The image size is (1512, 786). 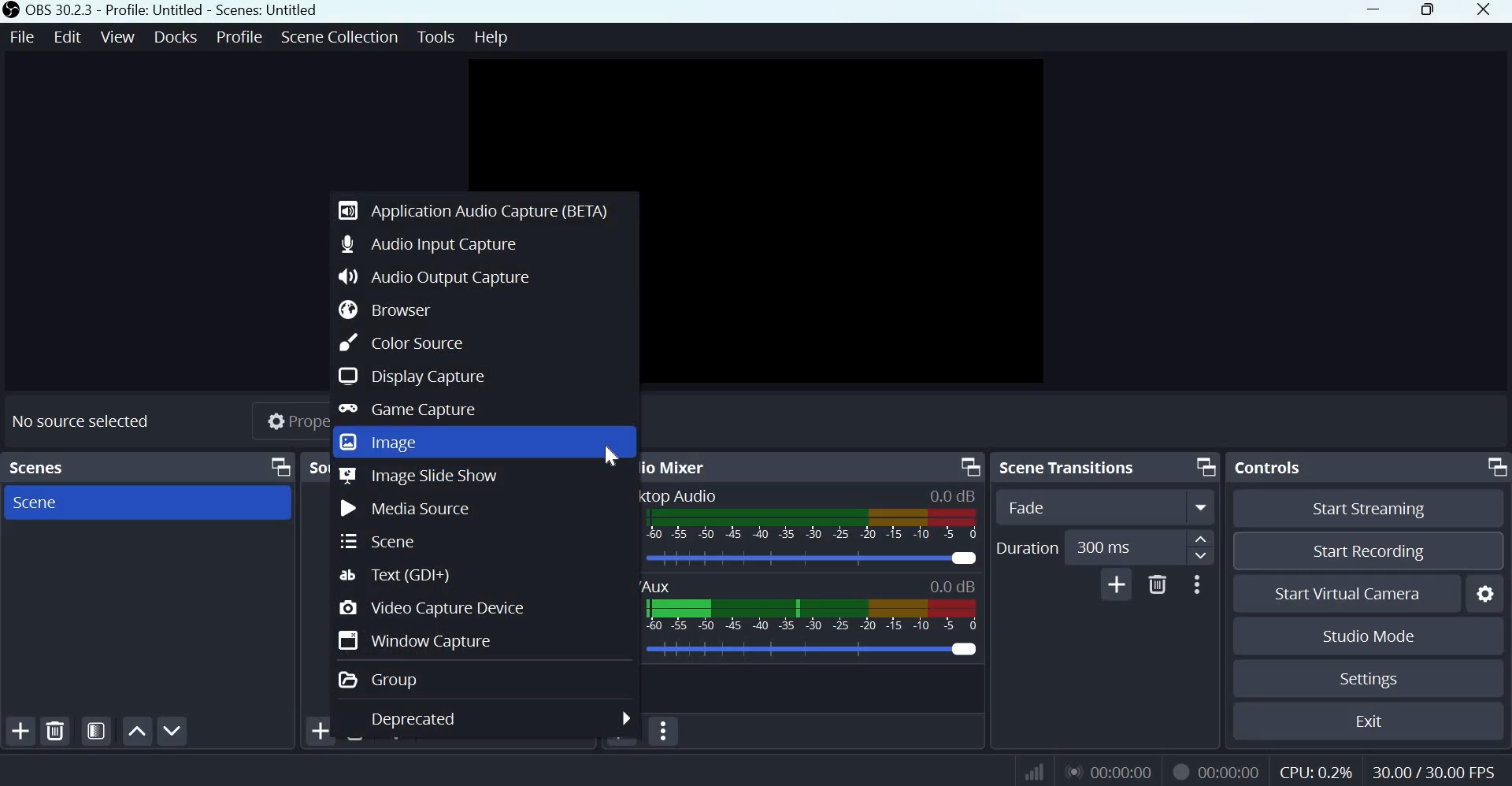 I want to click on Settings, so click(x=1369, y=679).